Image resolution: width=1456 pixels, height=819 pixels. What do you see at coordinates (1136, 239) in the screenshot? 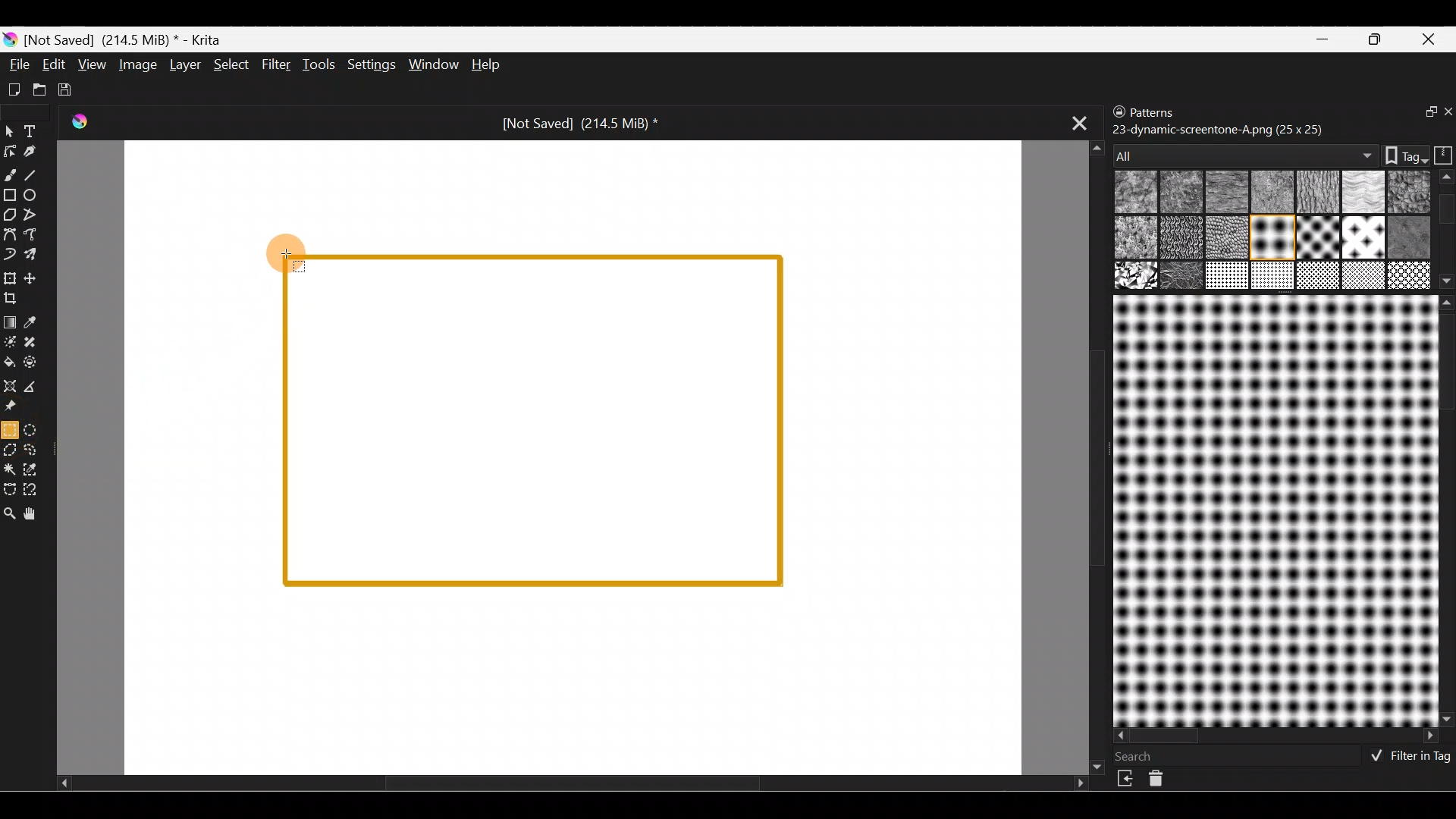
I see `08 Bump-relief.png` at bounding box center [1136, 239].